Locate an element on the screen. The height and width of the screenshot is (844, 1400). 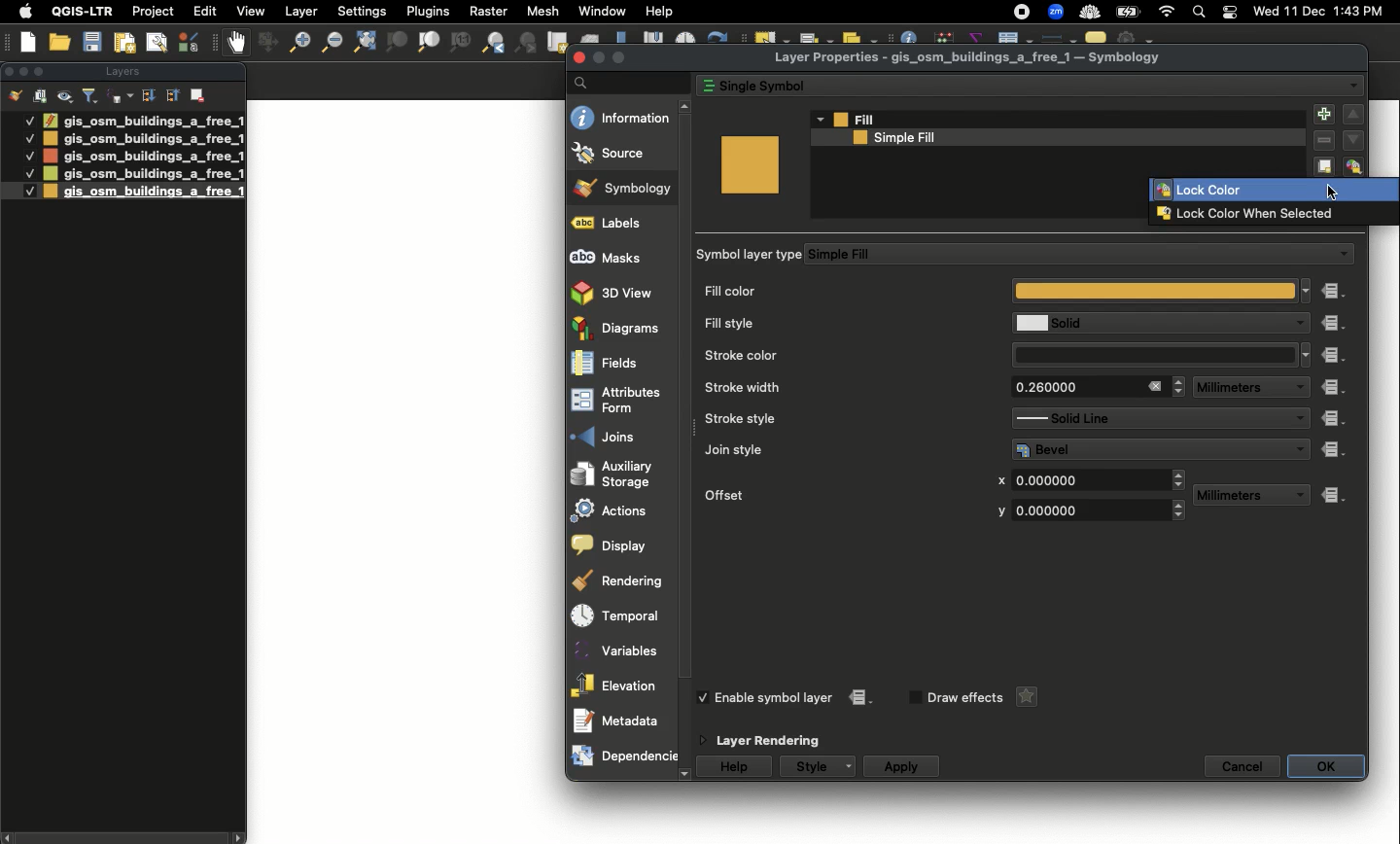
Sort ascending is located at coordinates (171, 94).